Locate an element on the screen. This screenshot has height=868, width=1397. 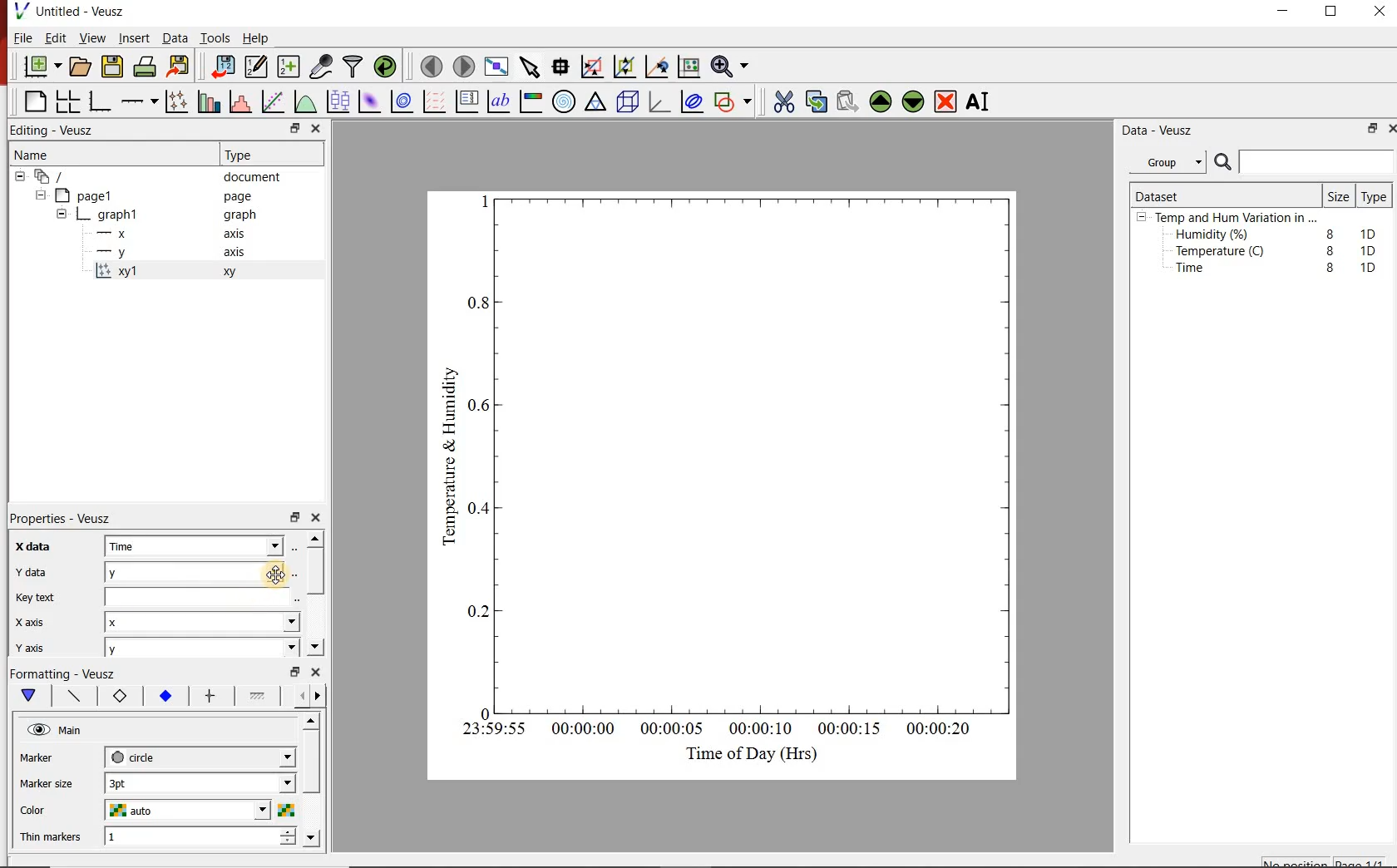
y data dropdown is located at coordinates (239, 573).